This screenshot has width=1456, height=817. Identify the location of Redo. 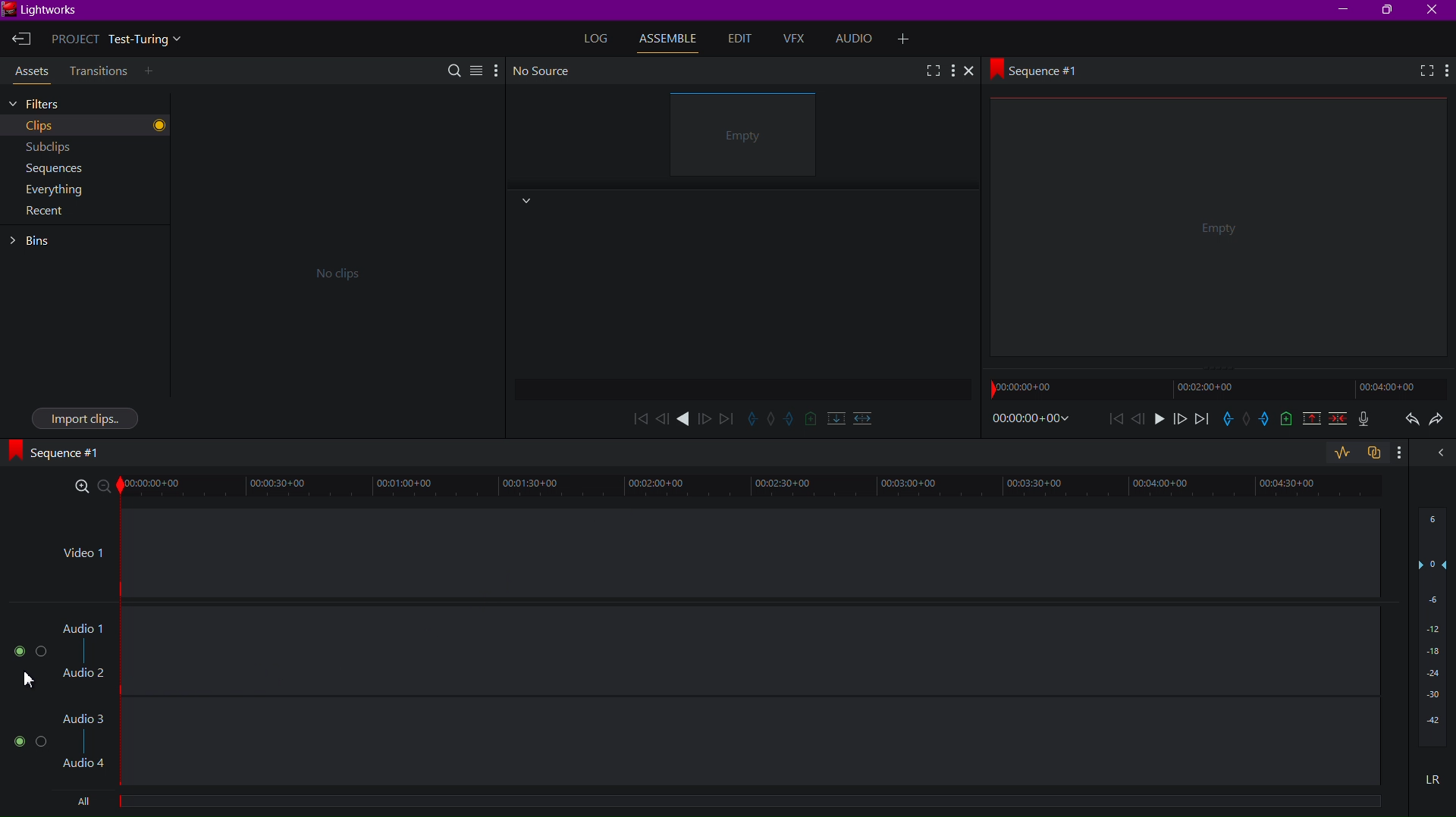
(1438, 423).